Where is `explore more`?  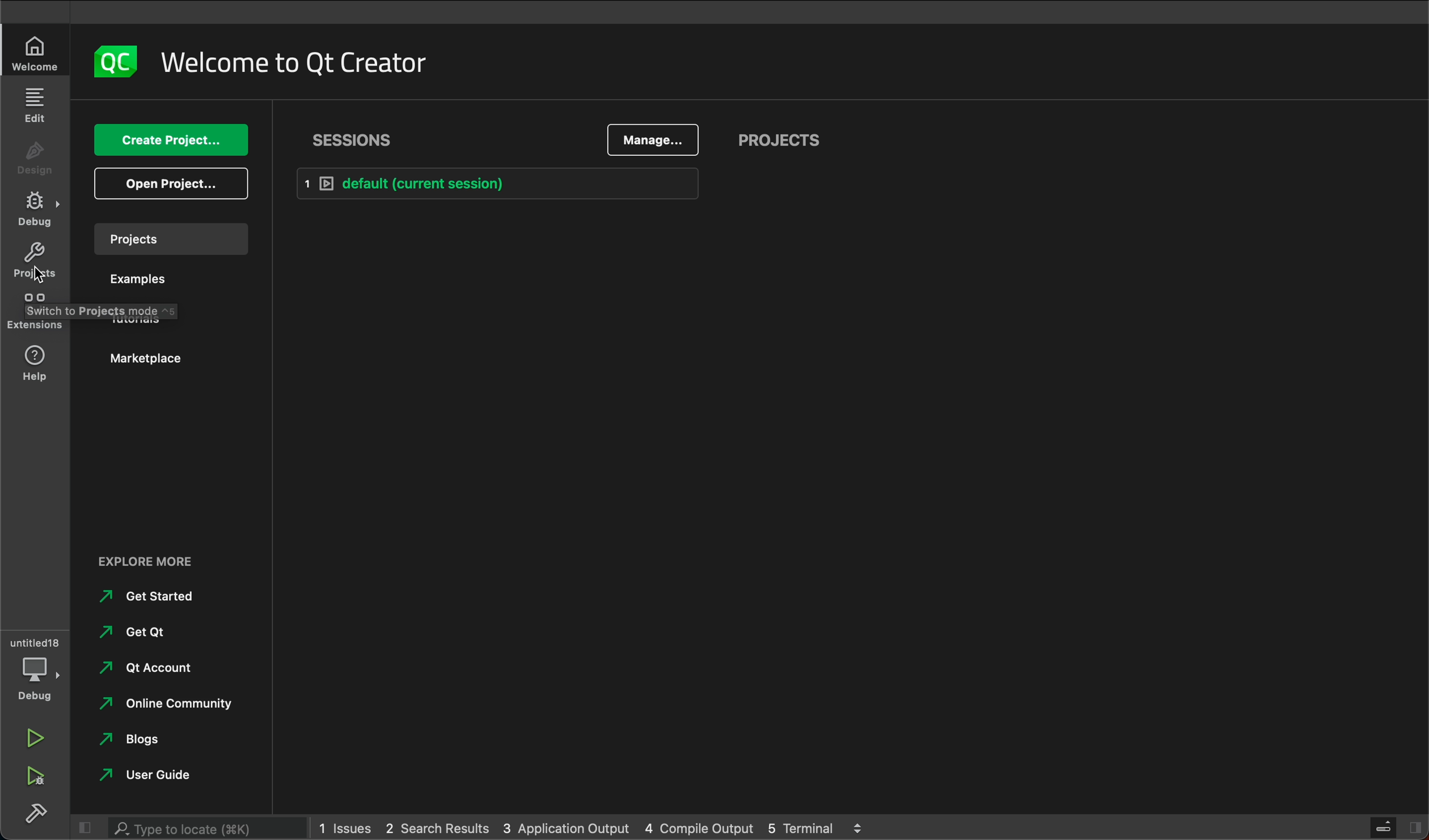
explore more is located at coordinates (144, 565).